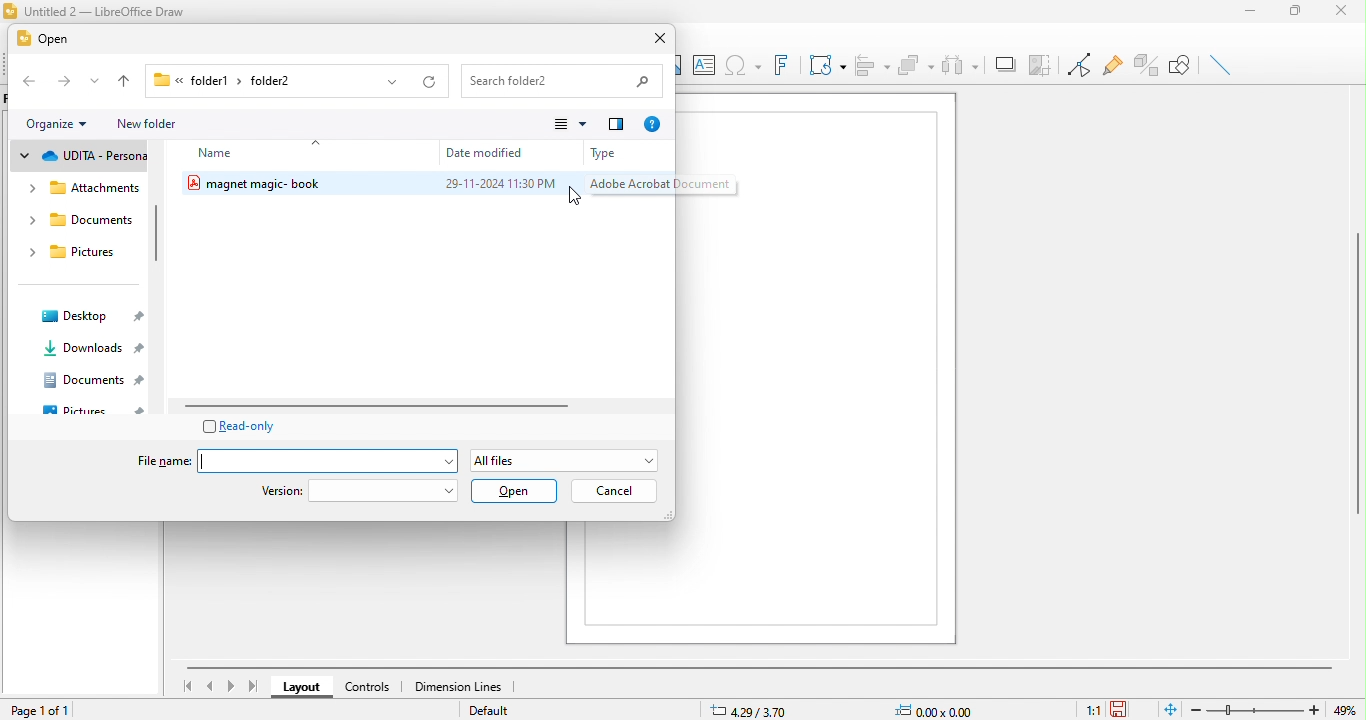 The image size is (1366, 720). Describe the element at coordinates (242, 154) in the screenshot. I see `name` at that location.